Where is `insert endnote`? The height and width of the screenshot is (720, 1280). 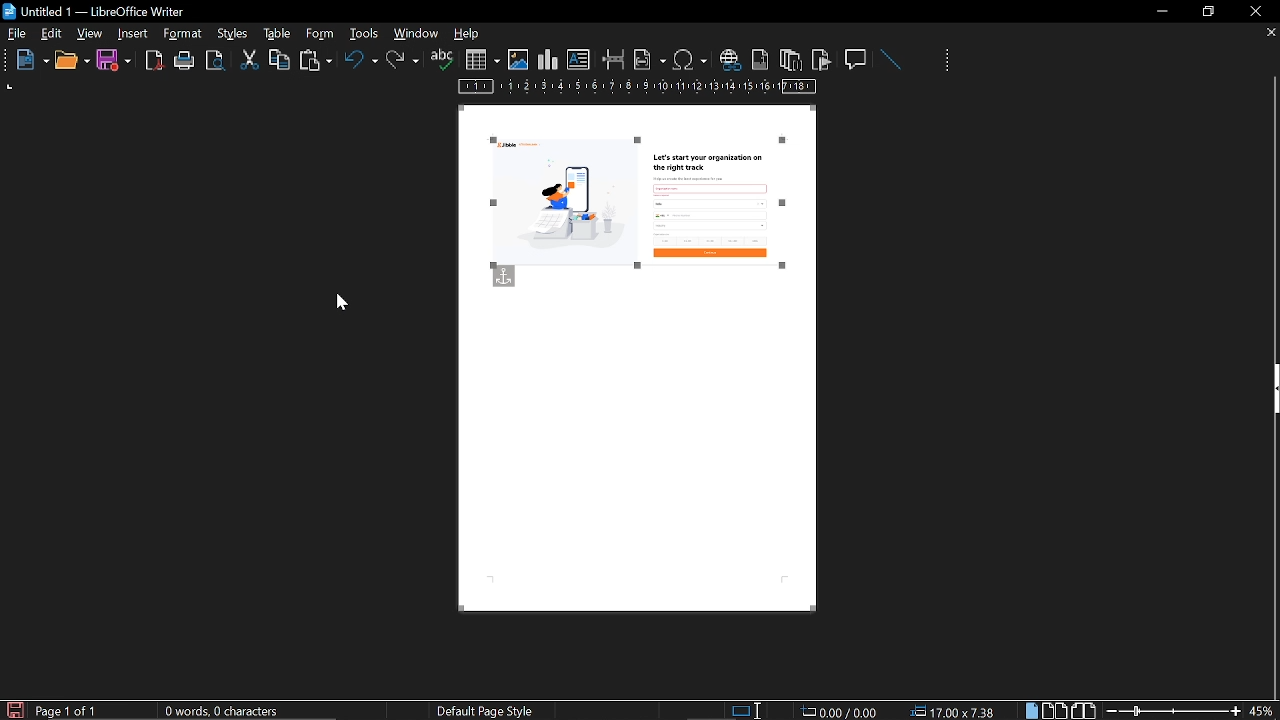
insert endnote is located at coordinates (790, 59).